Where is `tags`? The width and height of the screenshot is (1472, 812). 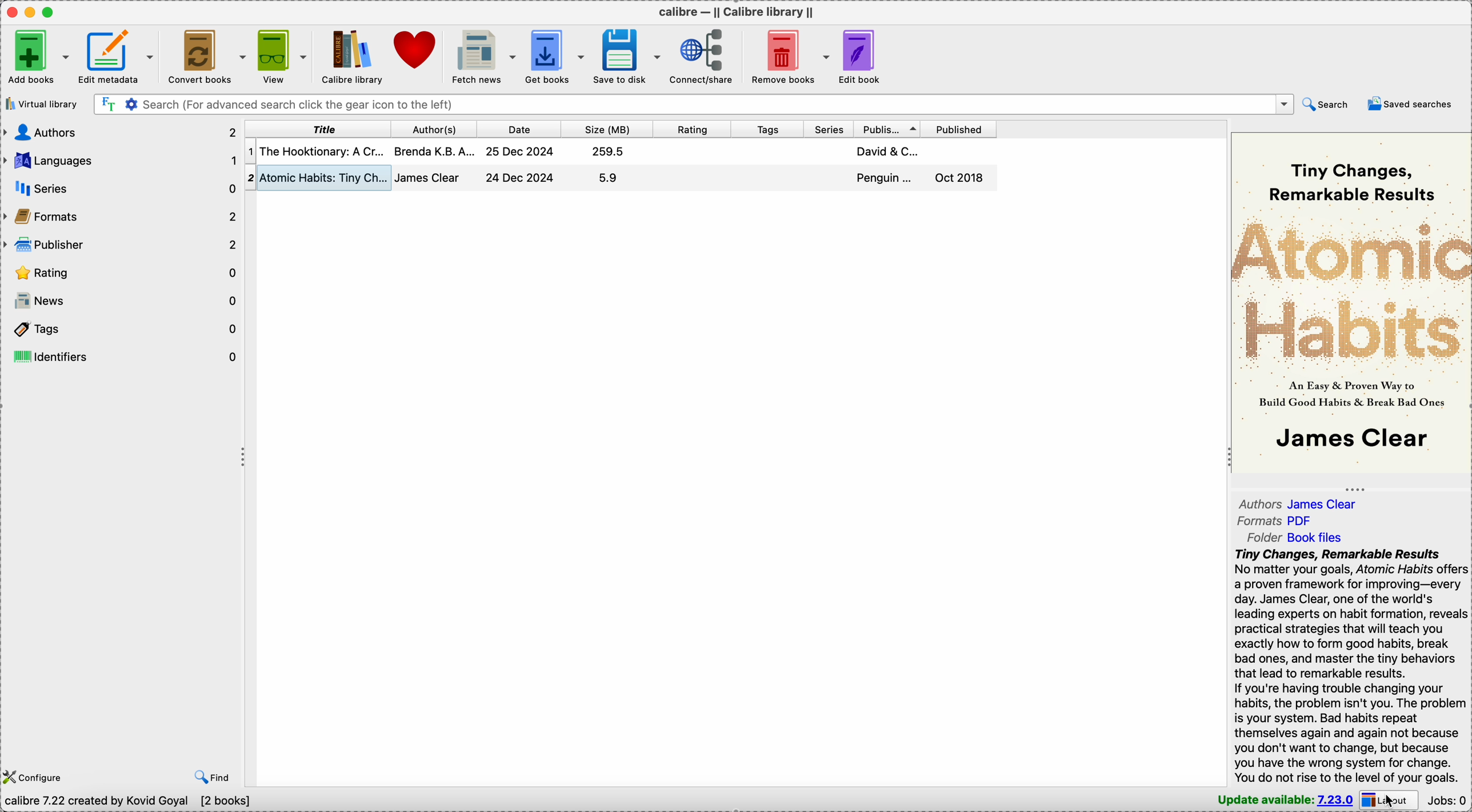 tags is located at coordinates (766, 129).